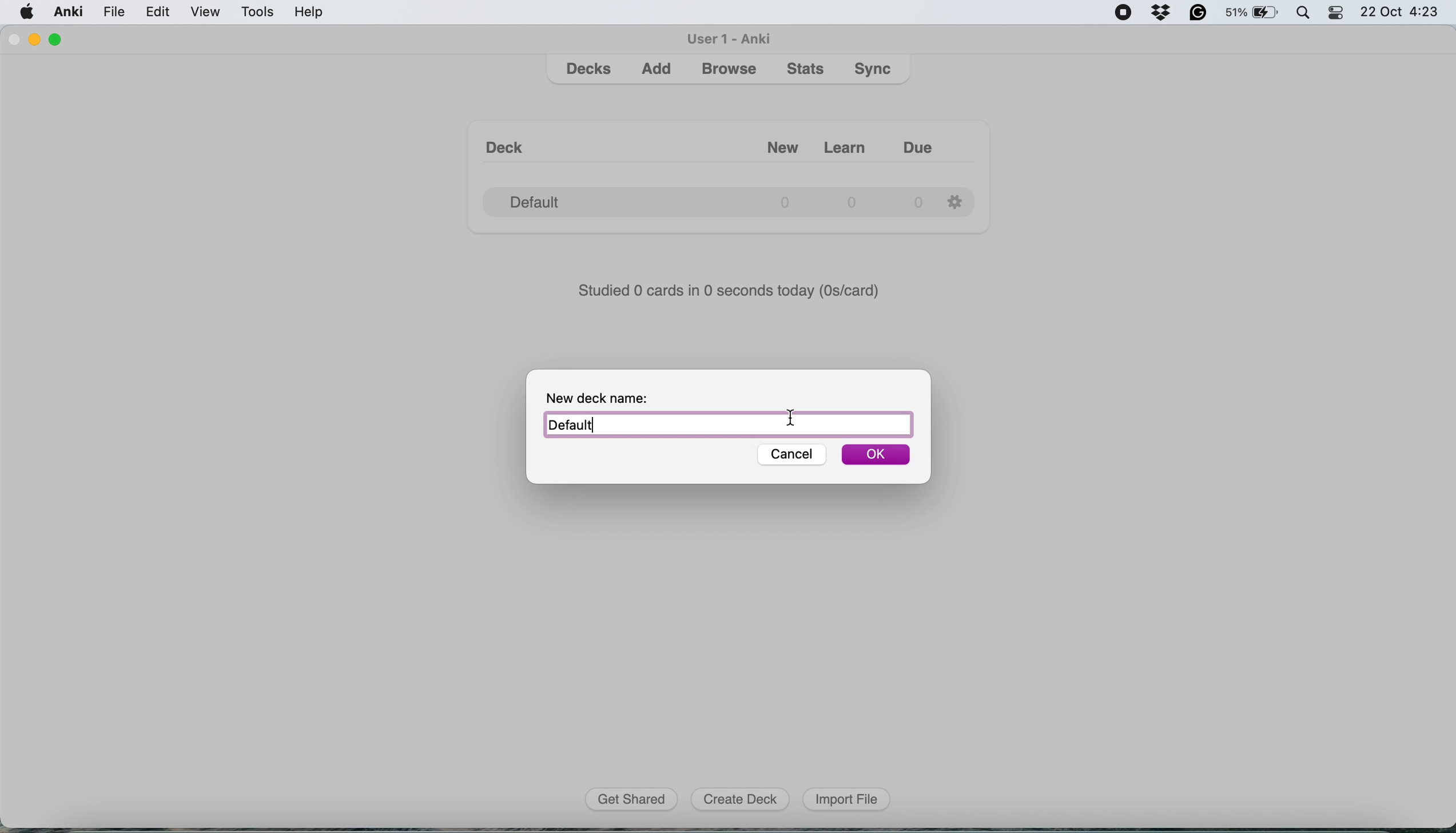 This screenshot has height=833, width=1456. Describe the element at coordinates (729, 70) in the screenshot. I see `browse` at that location.